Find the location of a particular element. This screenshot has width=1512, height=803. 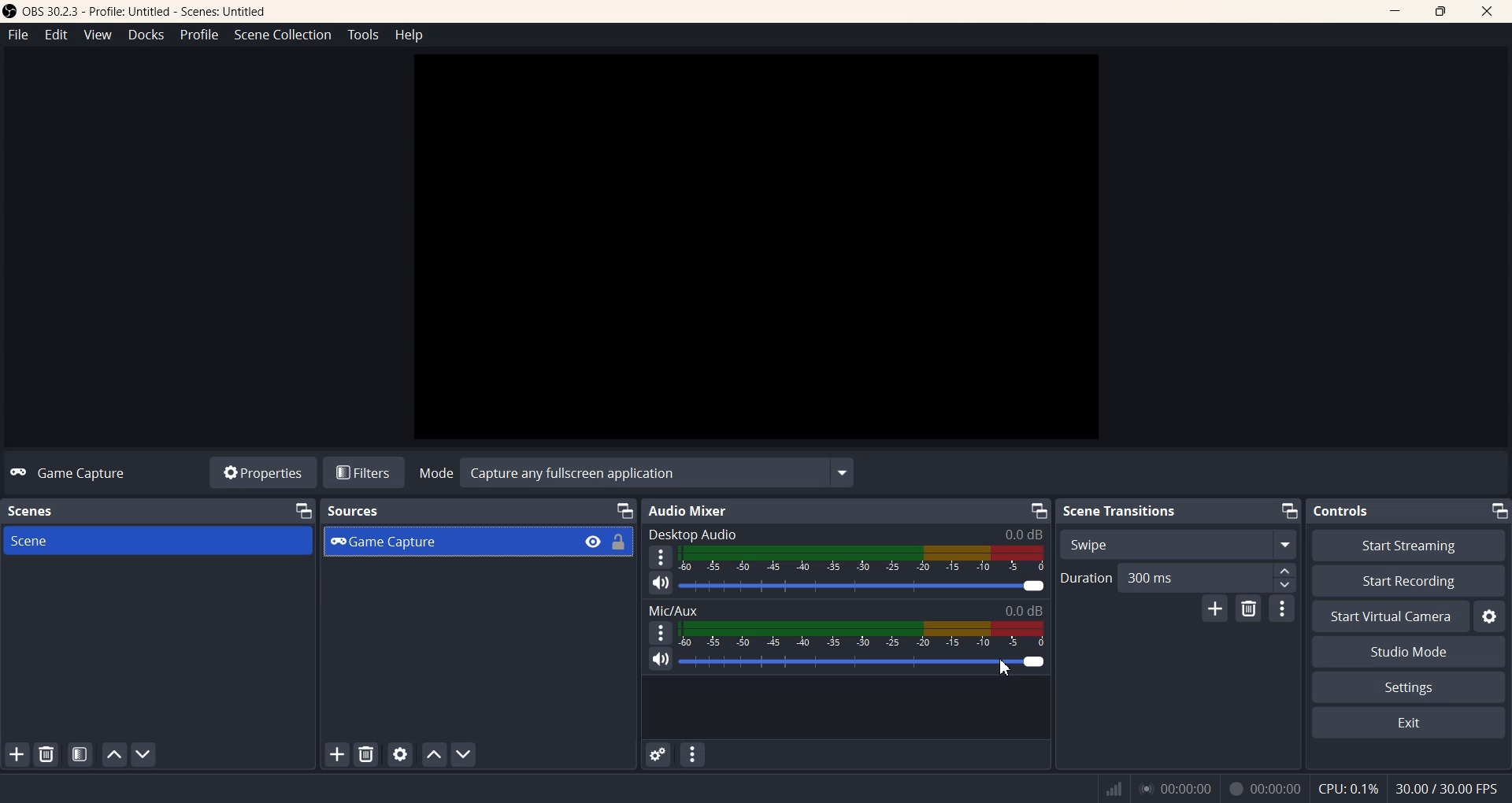

Volume Indicator is located at coordinates (863, 559).